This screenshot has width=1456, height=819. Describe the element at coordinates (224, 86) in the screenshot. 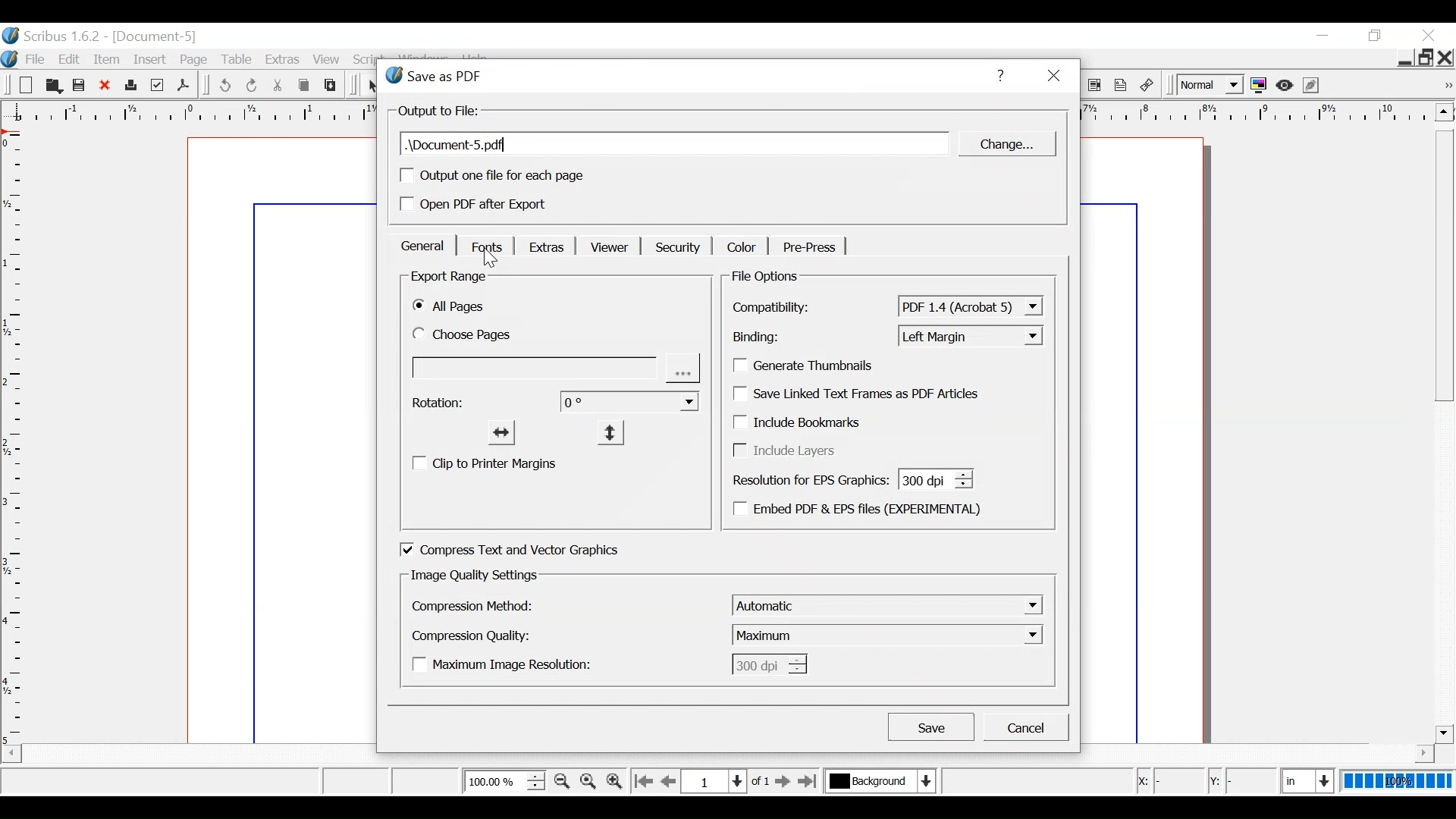

I see `Undo` at that location.